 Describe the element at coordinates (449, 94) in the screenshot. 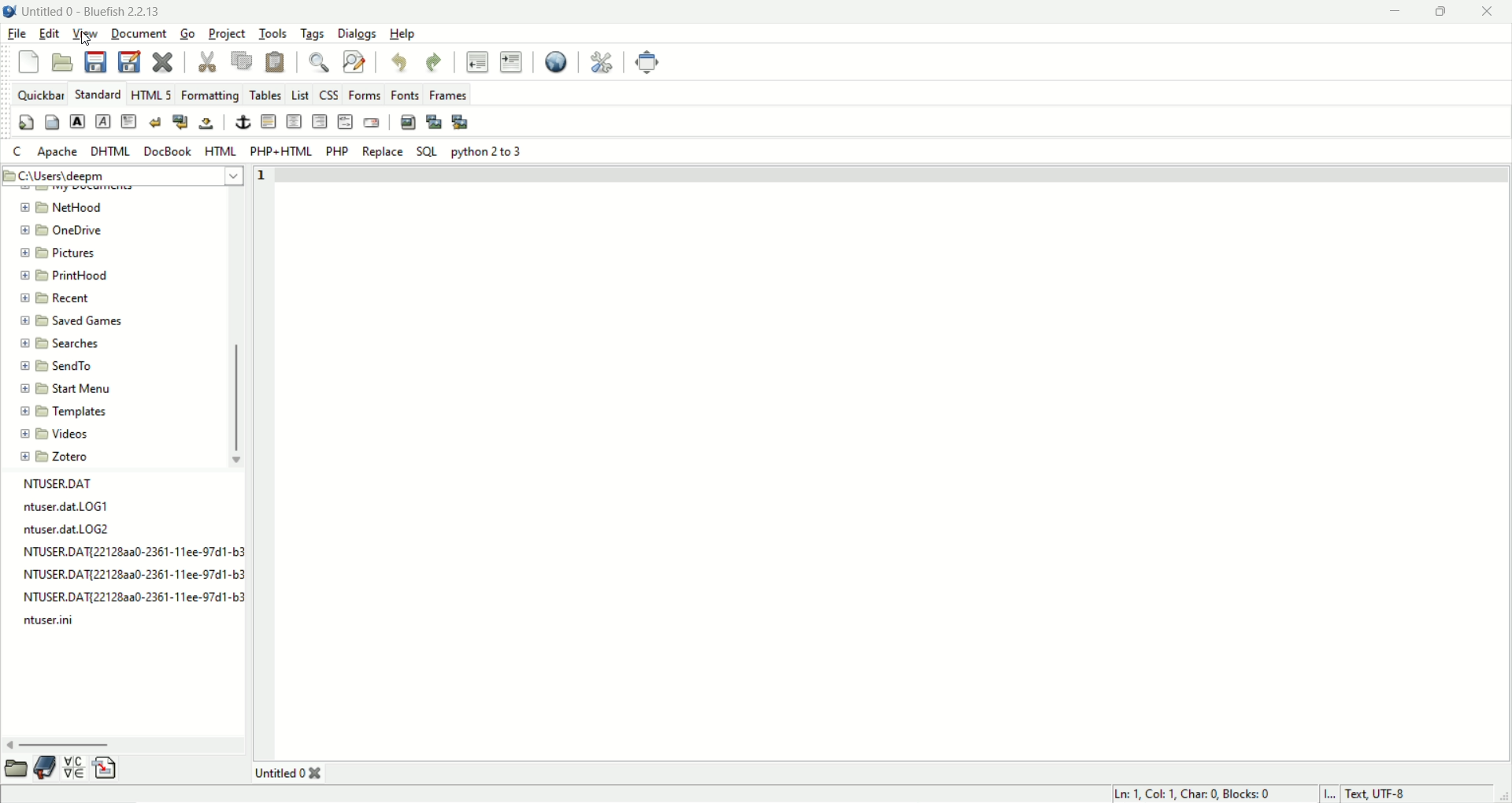

I see `frames` at that location.